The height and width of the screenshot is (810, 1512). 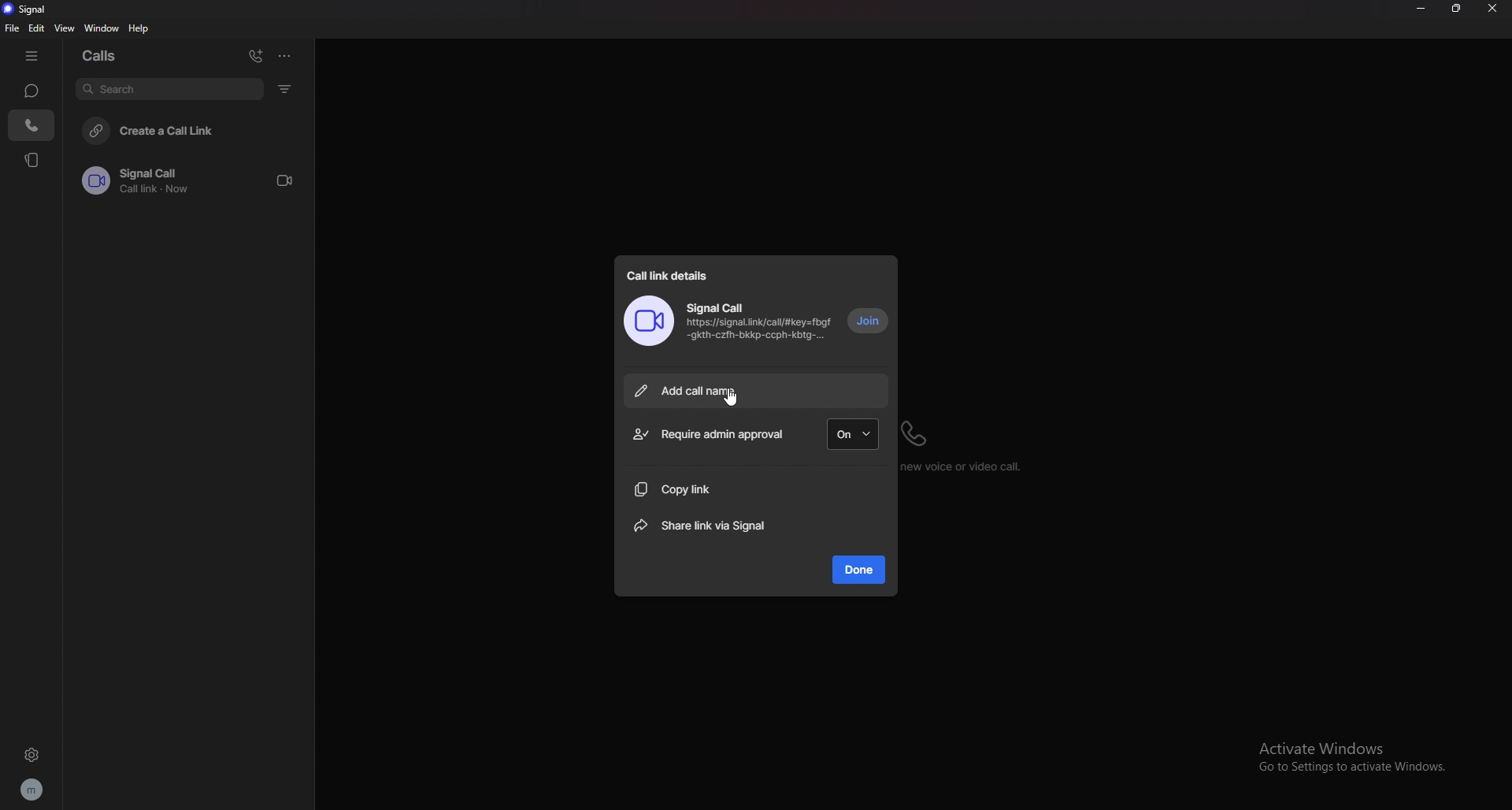 What do you see at coordinates (854, 434) in the screenshot?
I see `on` at bounding box center [854, 434].